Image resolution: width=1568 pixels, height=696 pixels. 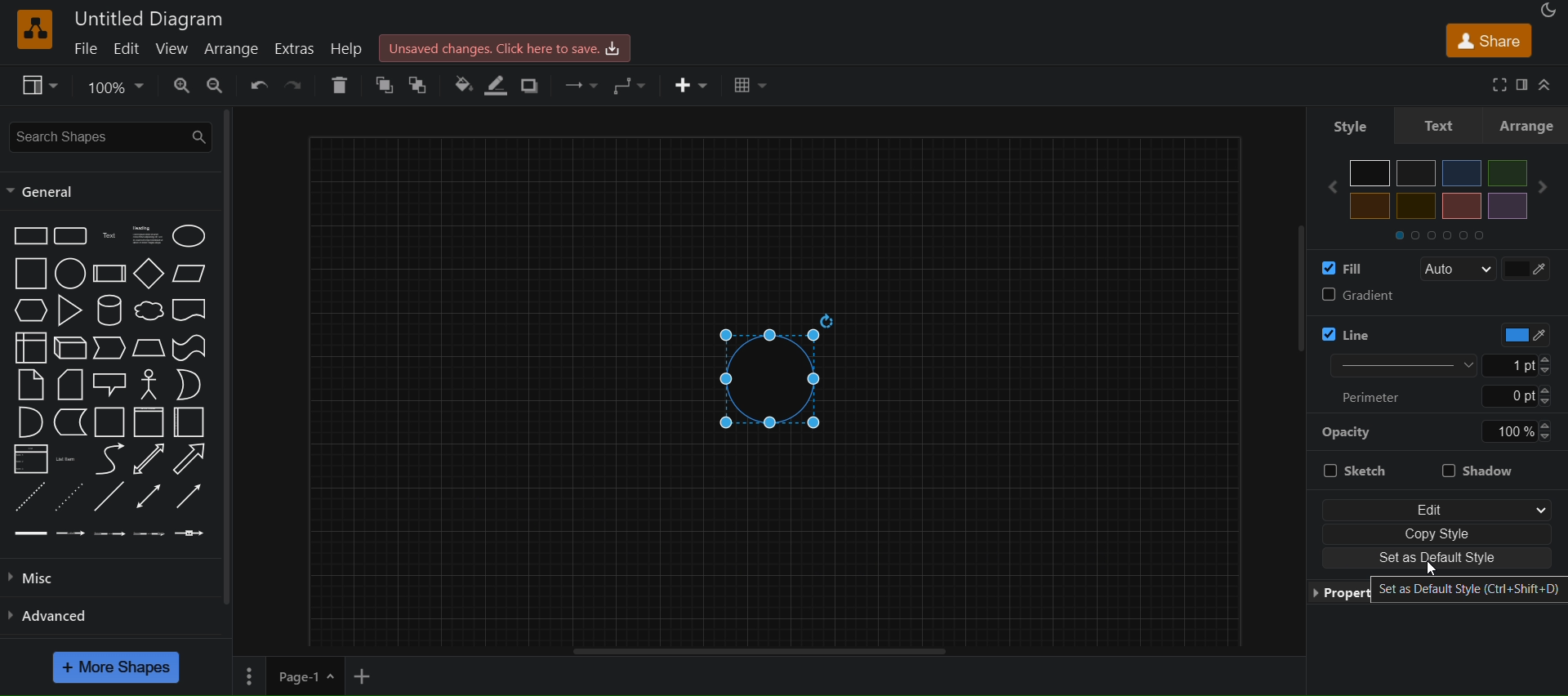 I want to click on callout, so click(x=112, y=384).